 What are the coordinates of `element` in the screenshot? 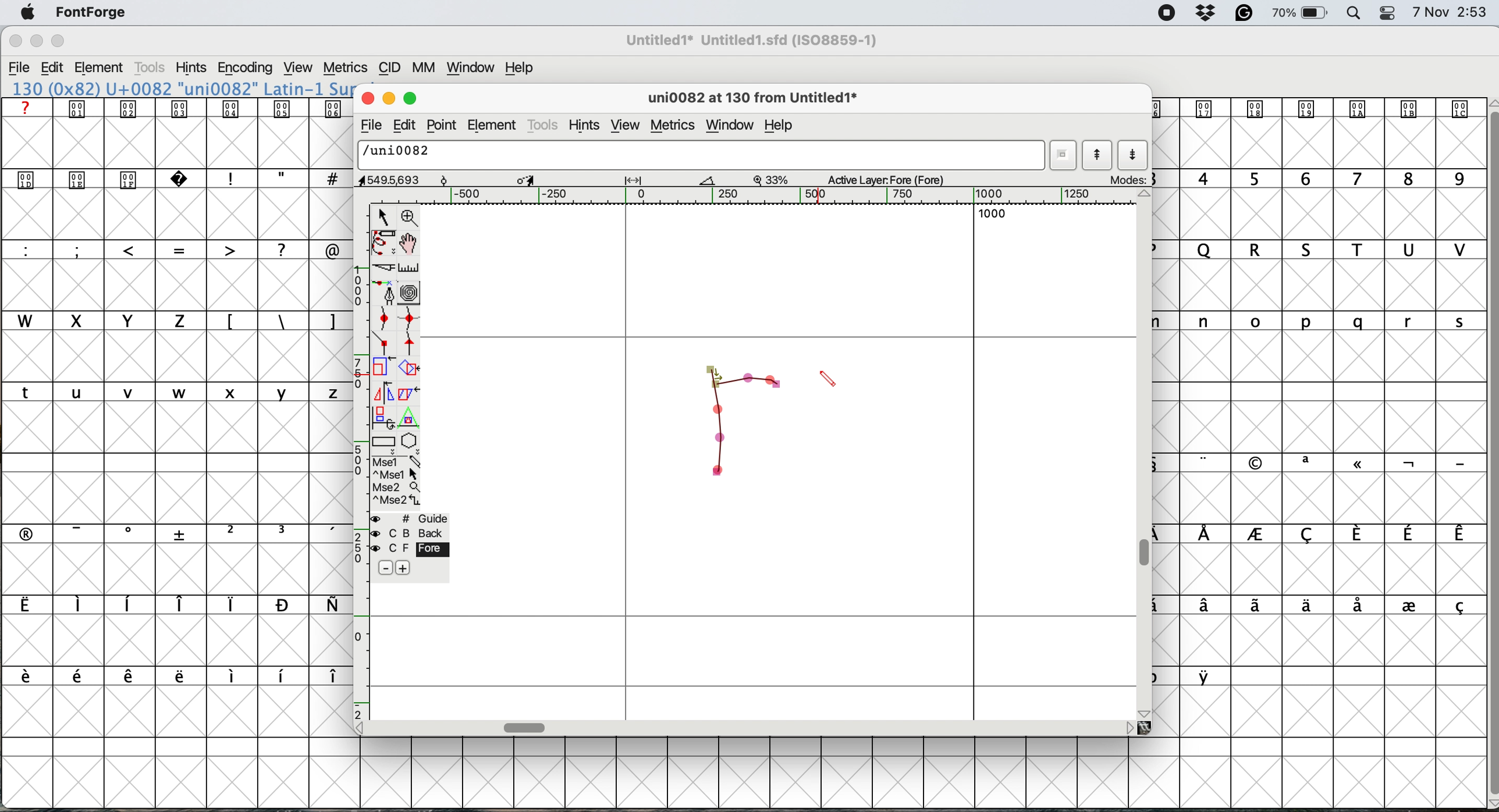 It's located at (105, 67).